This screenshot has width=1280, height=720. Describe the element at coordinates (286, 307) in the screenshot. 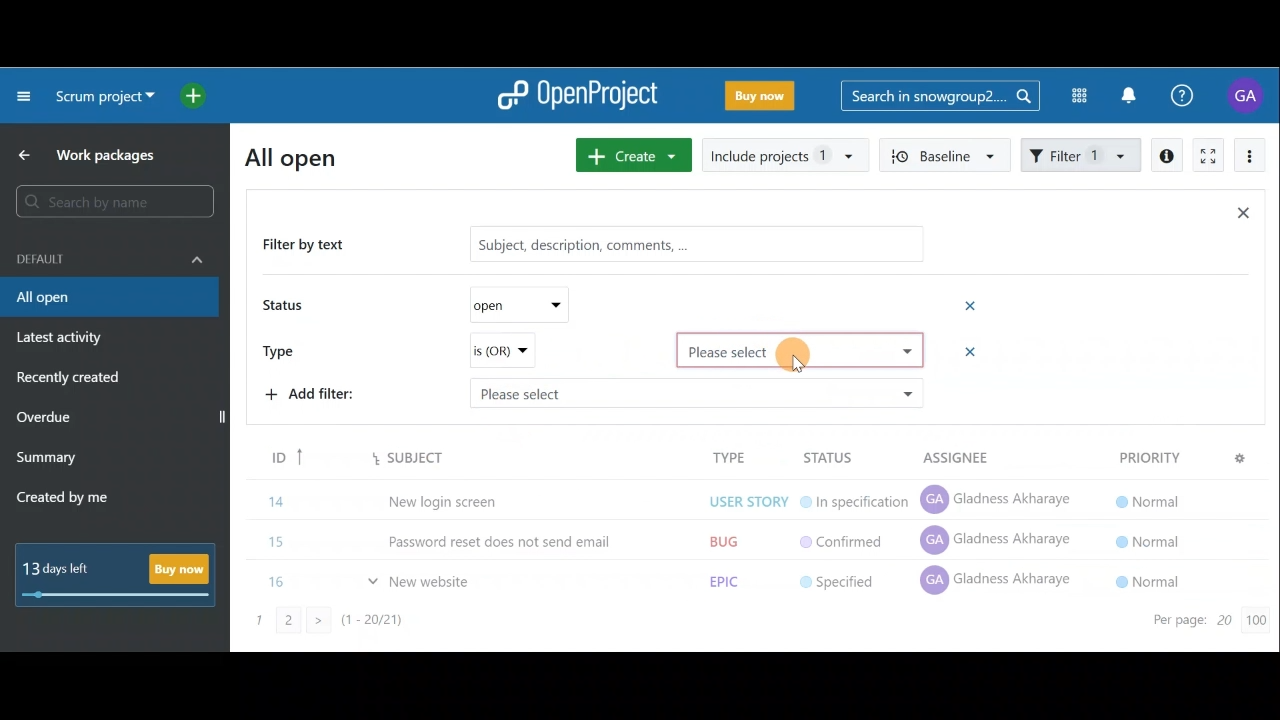

I see `Status` at that location.